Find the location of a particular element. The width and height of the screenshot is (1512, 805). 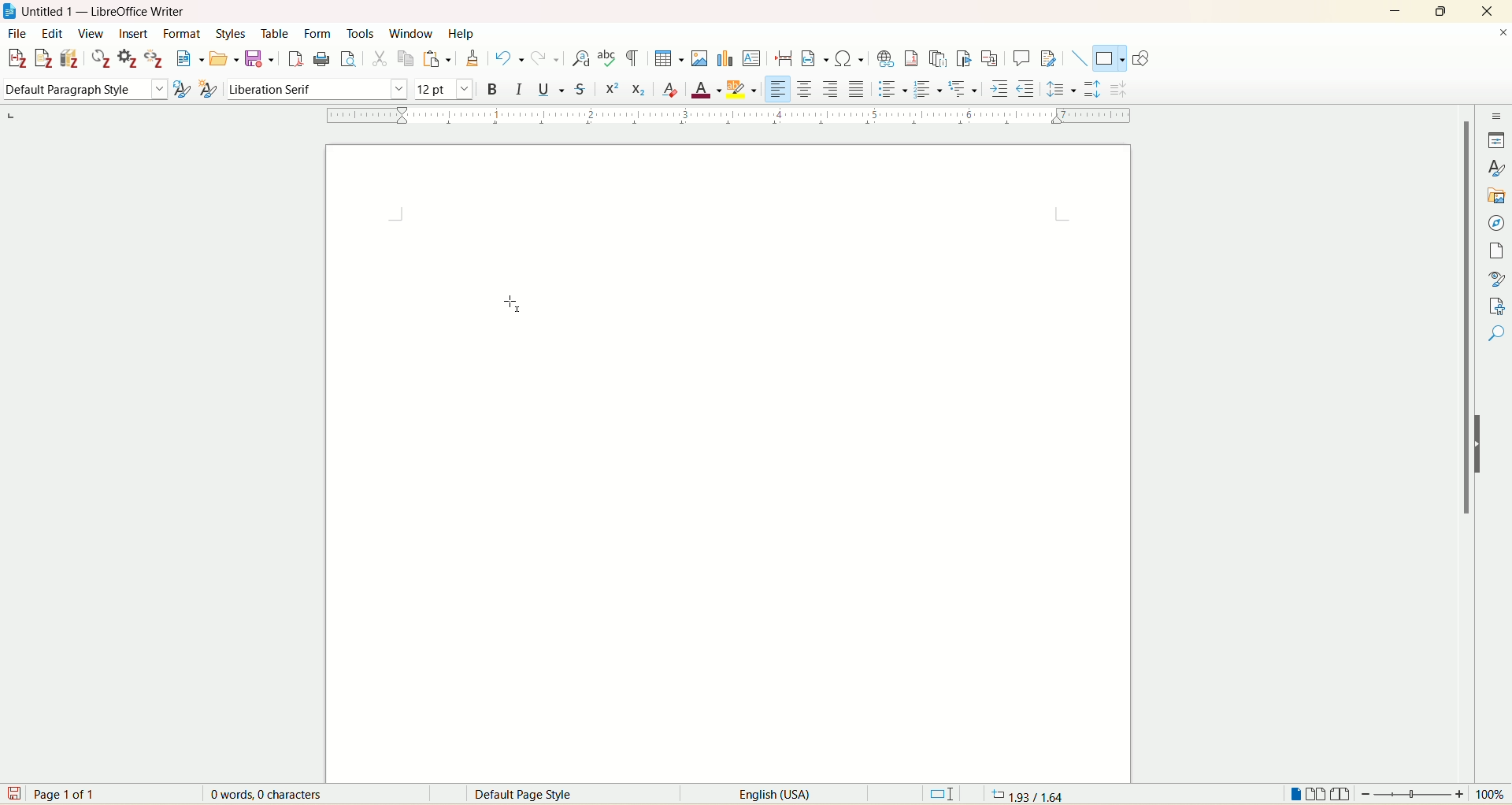

insert text box is located at coordinates (752, 57).